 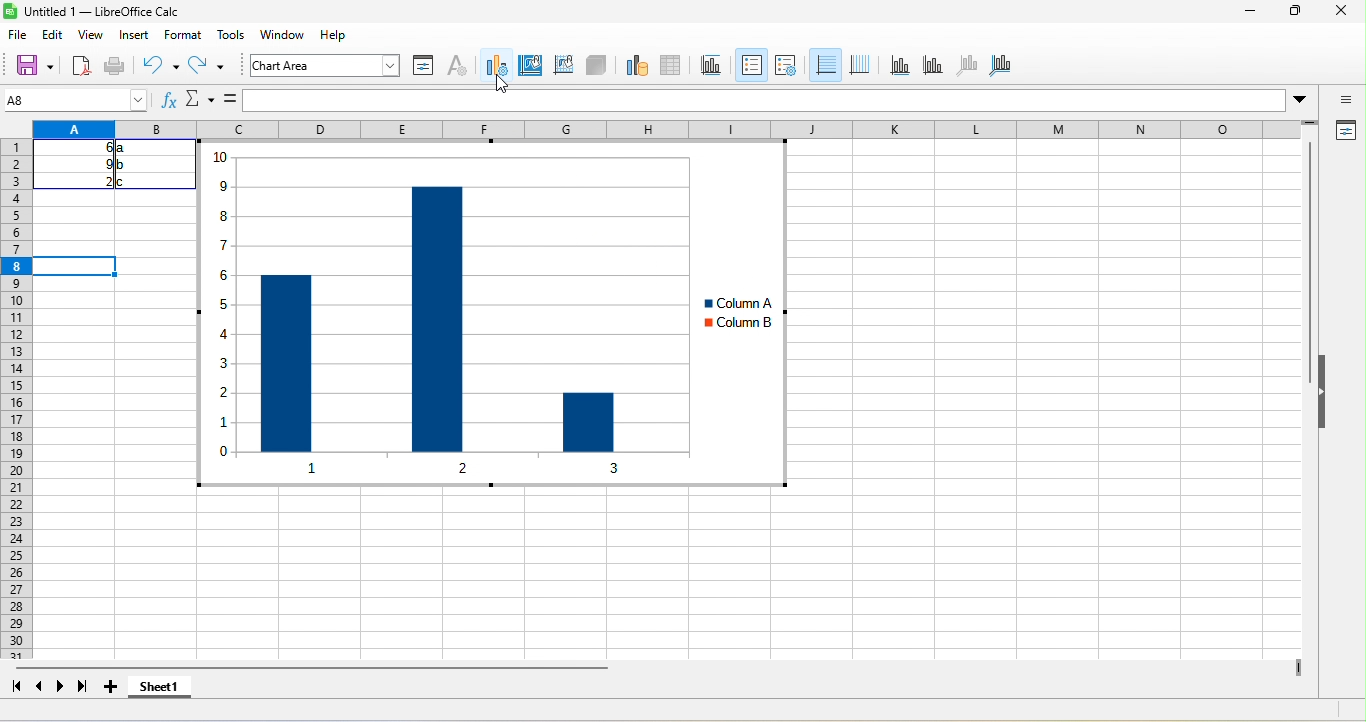 I want to click on cell selected, so click(x=78, y=266).